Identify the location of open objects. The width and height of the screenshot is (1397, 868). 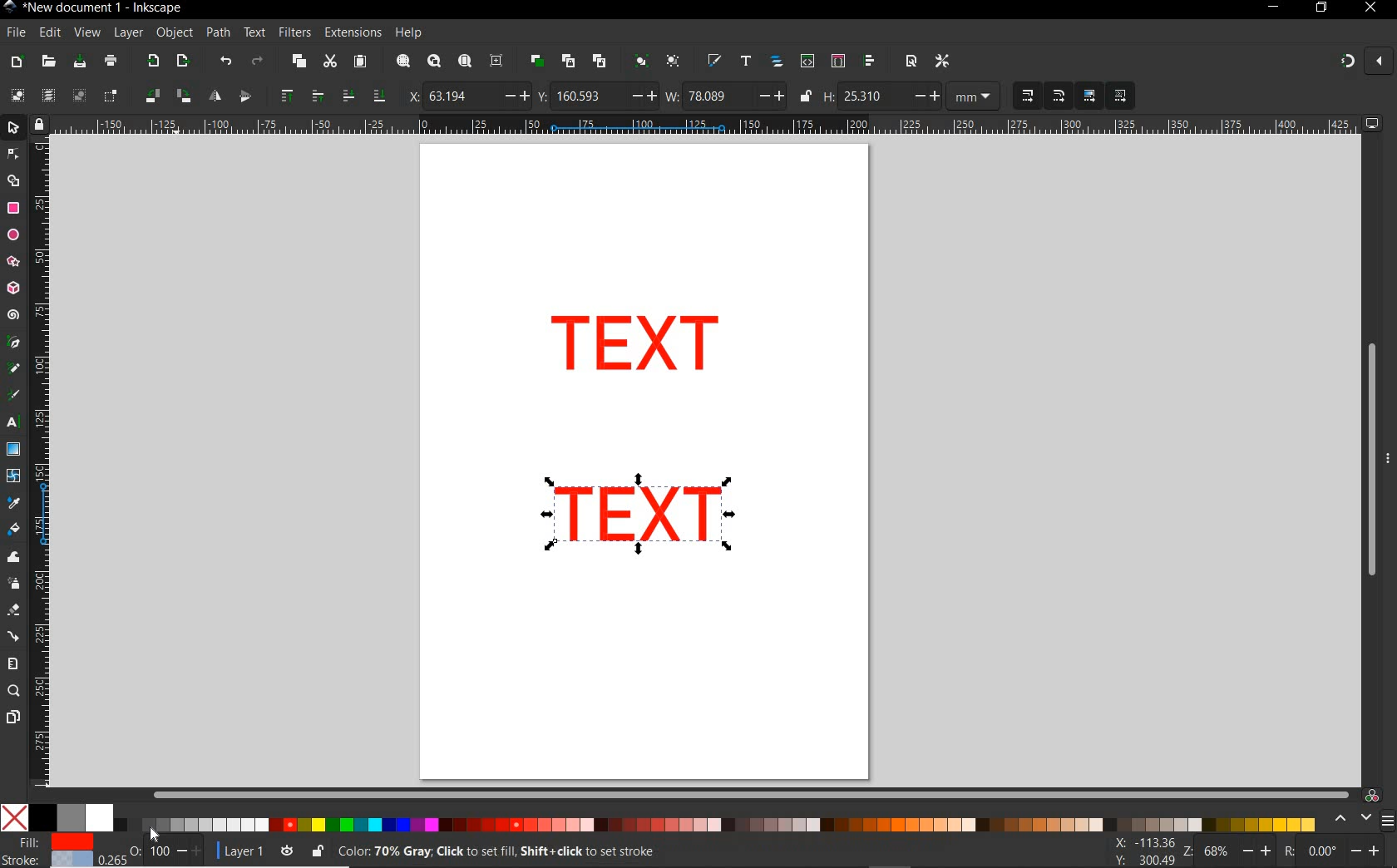
(777, 63).